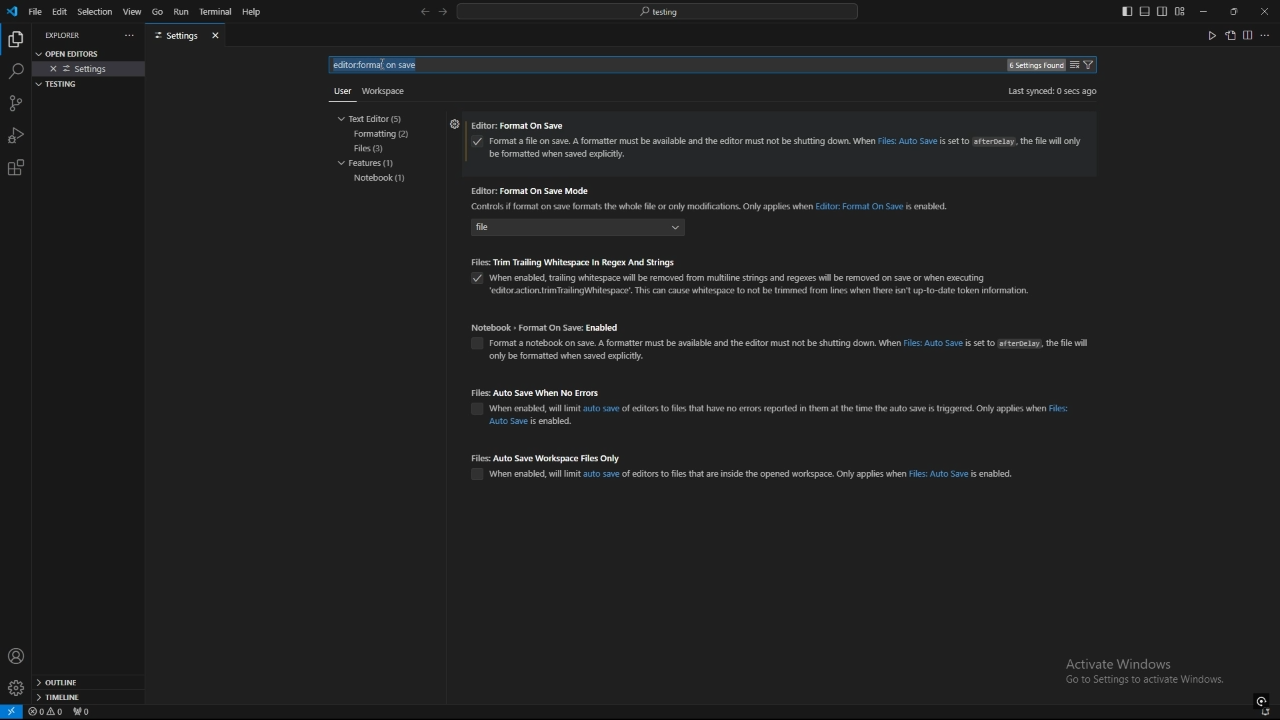 This screenshot has height=720, width=1280. What do you see at coordinates (1034, 66) in the screenshot?
I see `settings found` at bounding box center [1034, 66].